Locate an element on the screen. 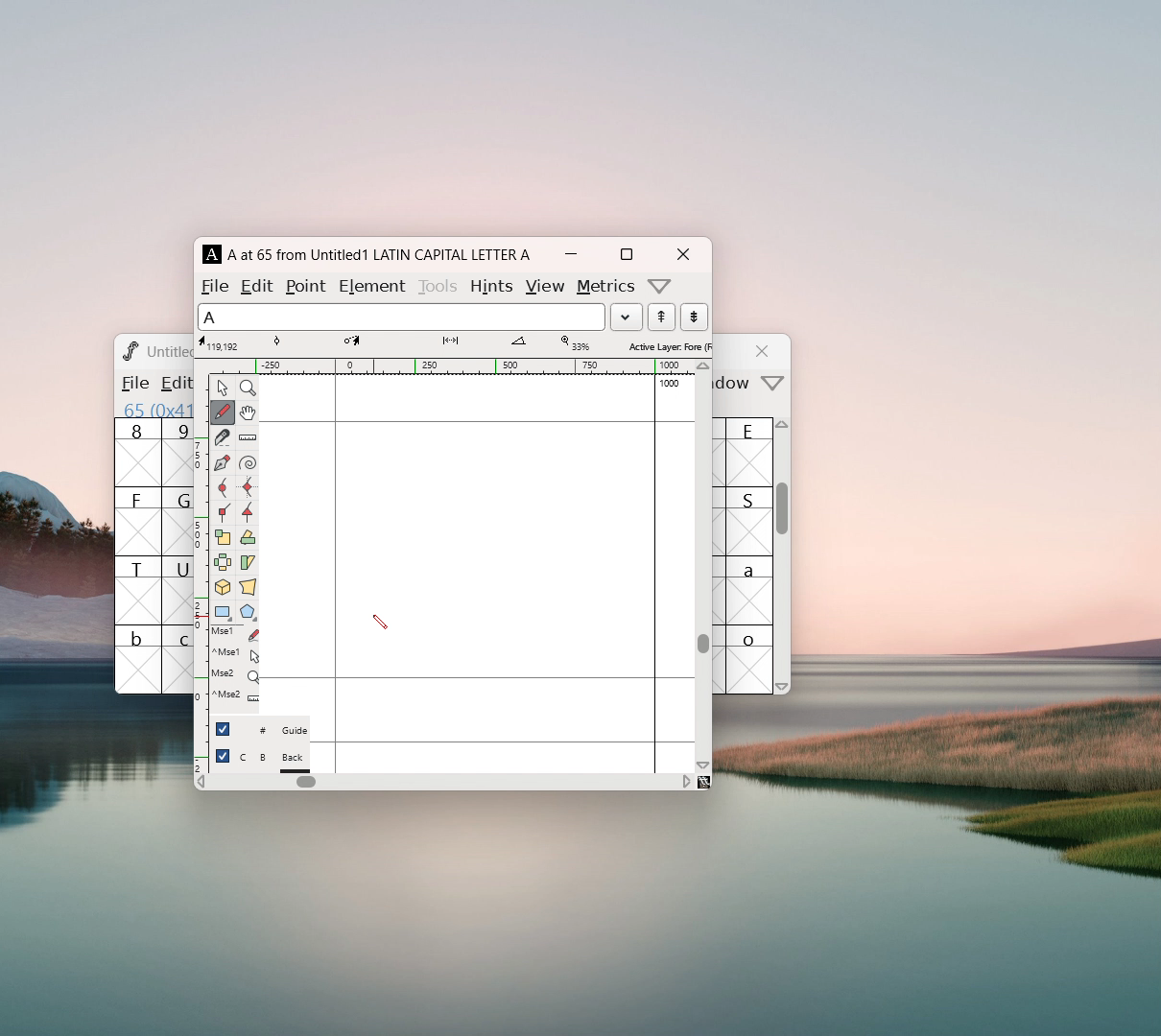 This screenshot has height=1036, width=1161. cursor coordinates is located at coordinates (222, 343).